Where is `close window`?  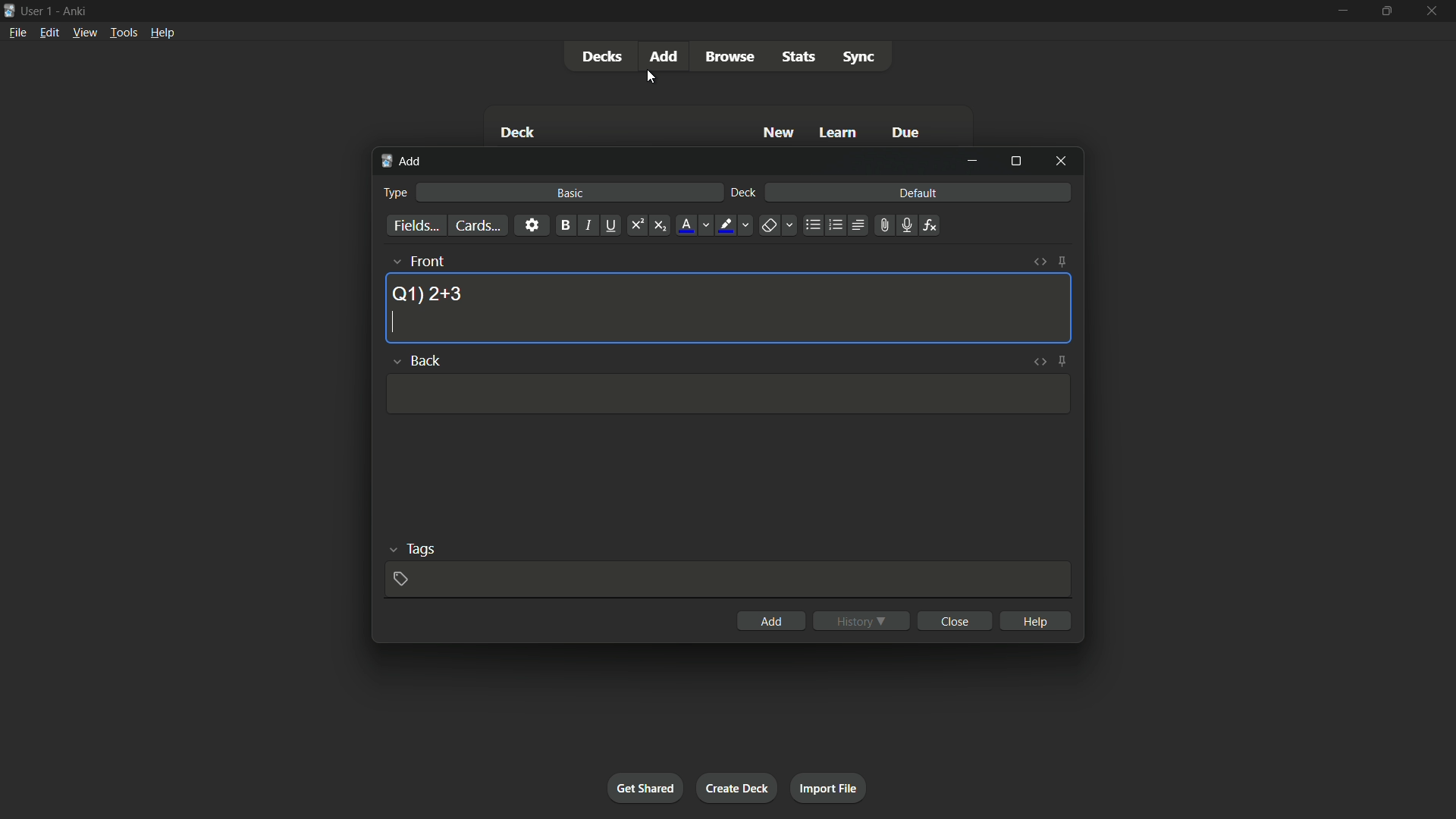
close window is located at coordinates (1062, 160).